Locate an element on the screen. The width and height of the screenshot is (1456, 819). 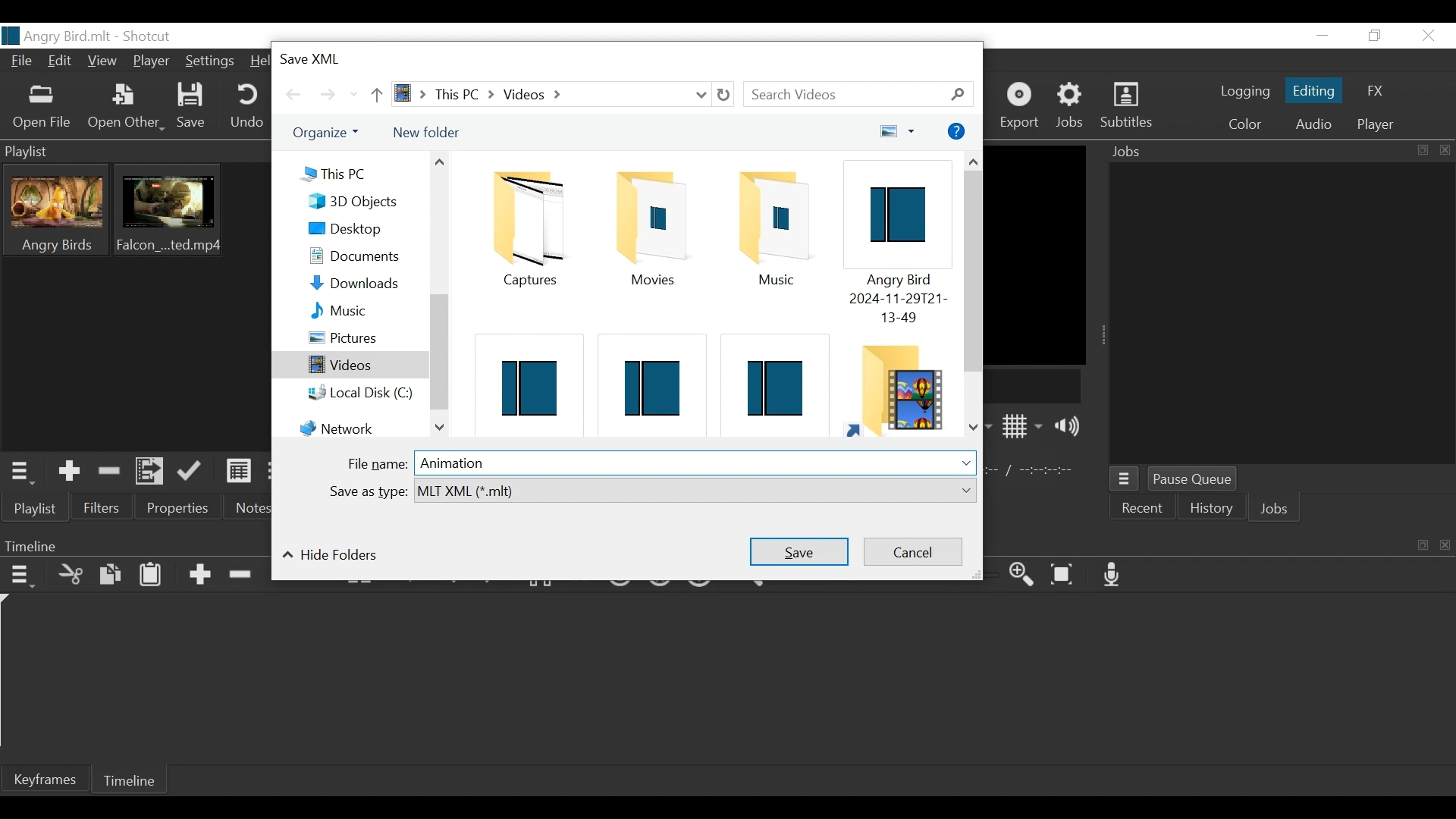
Folder is located at coordinates (524, 228).